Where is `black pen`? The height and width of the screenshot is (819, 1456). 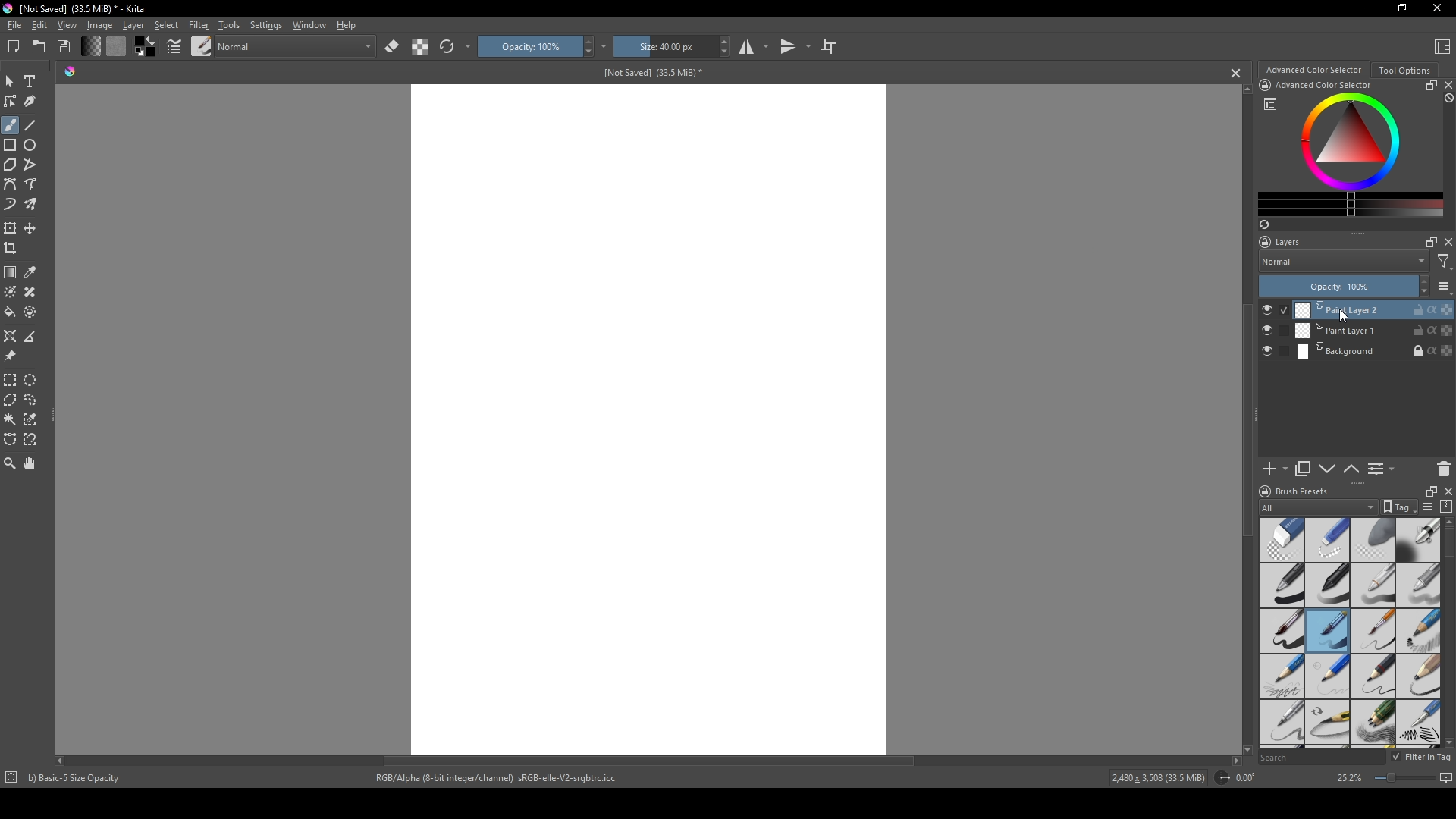
black pen is located at coordinates (1328, 585).